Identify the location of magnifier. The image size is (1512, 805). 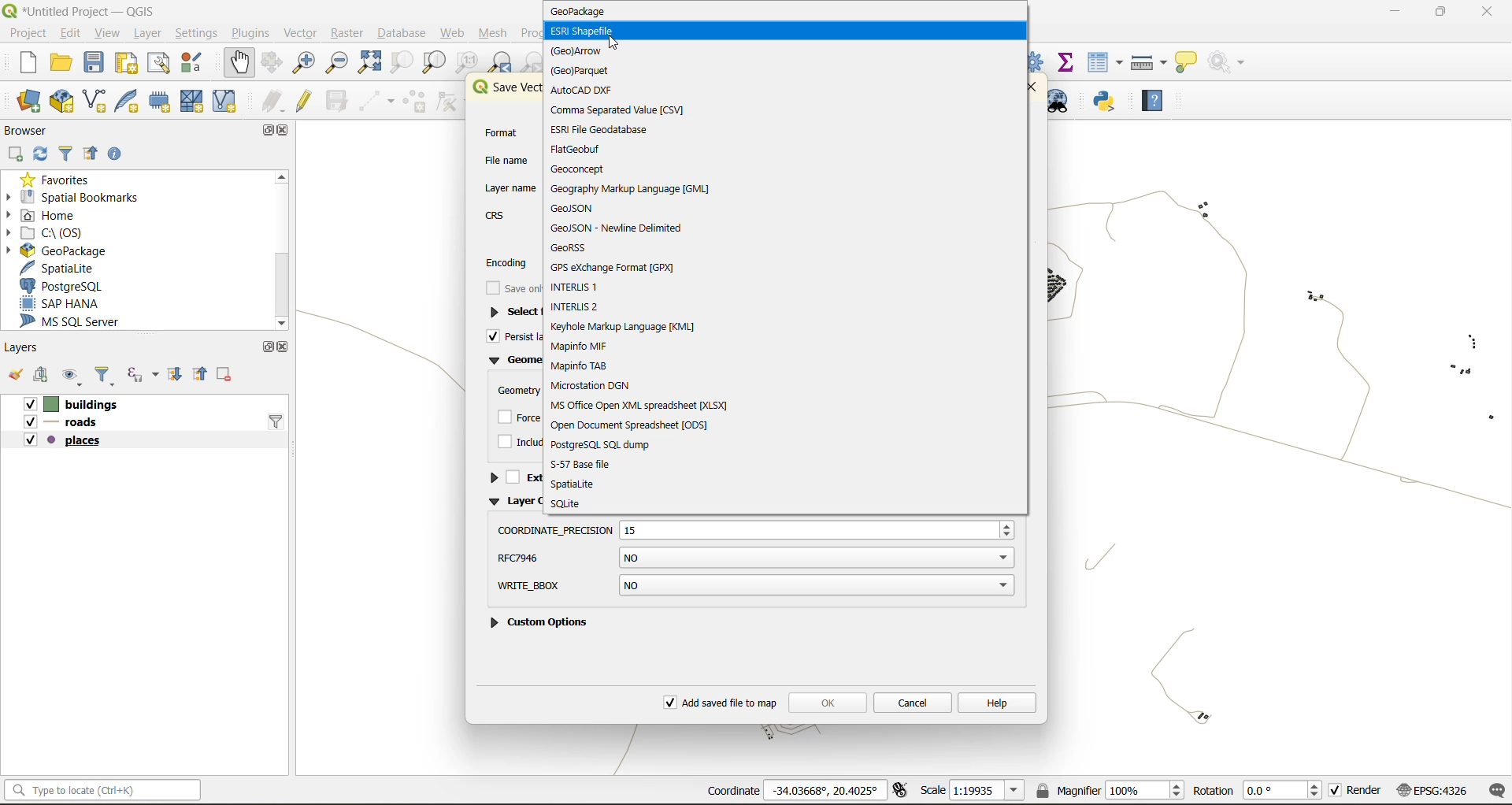
(1112, 789).